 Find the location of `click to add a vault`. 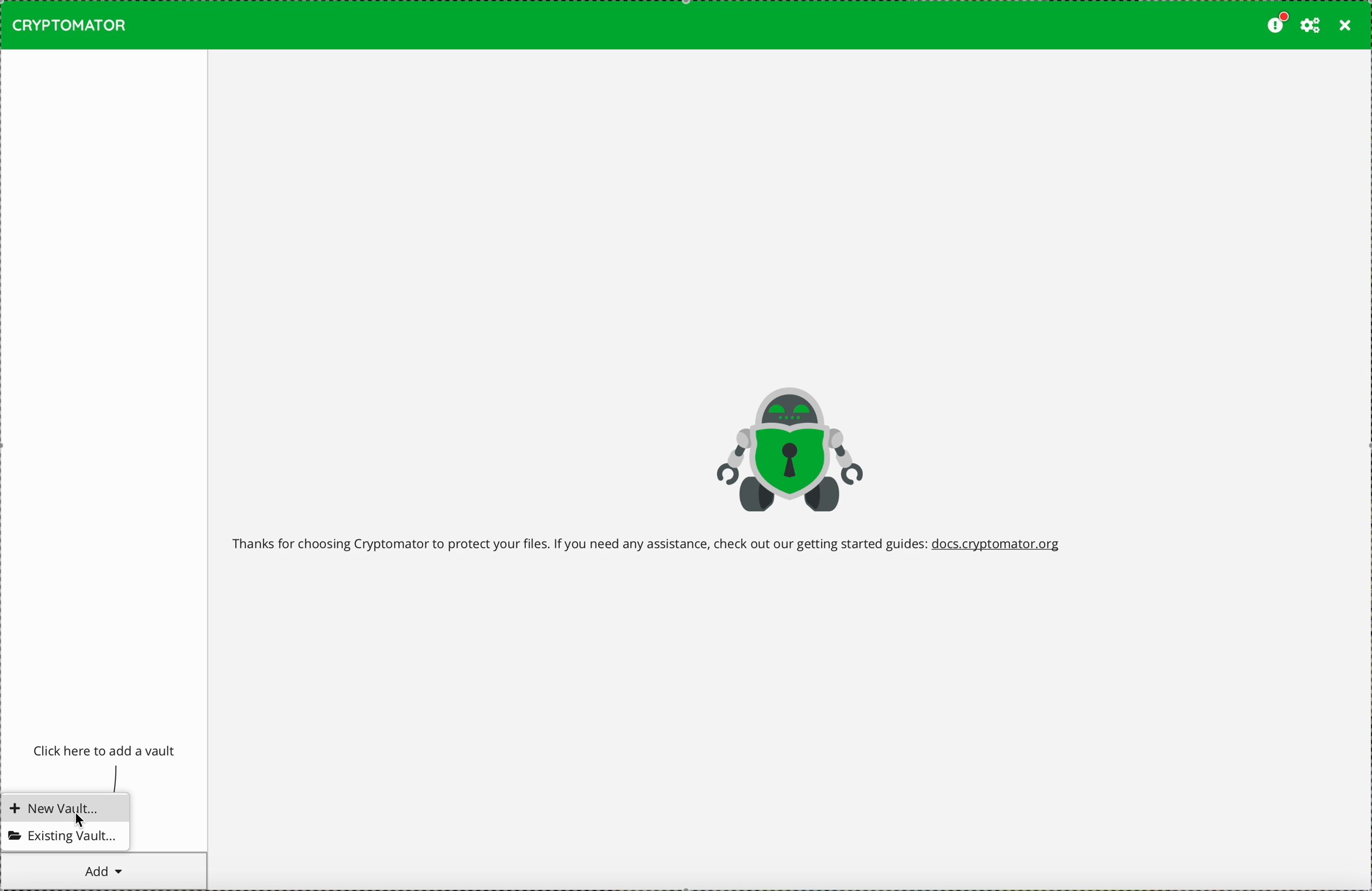

click to add a vault is located at coordinates (106, 751).